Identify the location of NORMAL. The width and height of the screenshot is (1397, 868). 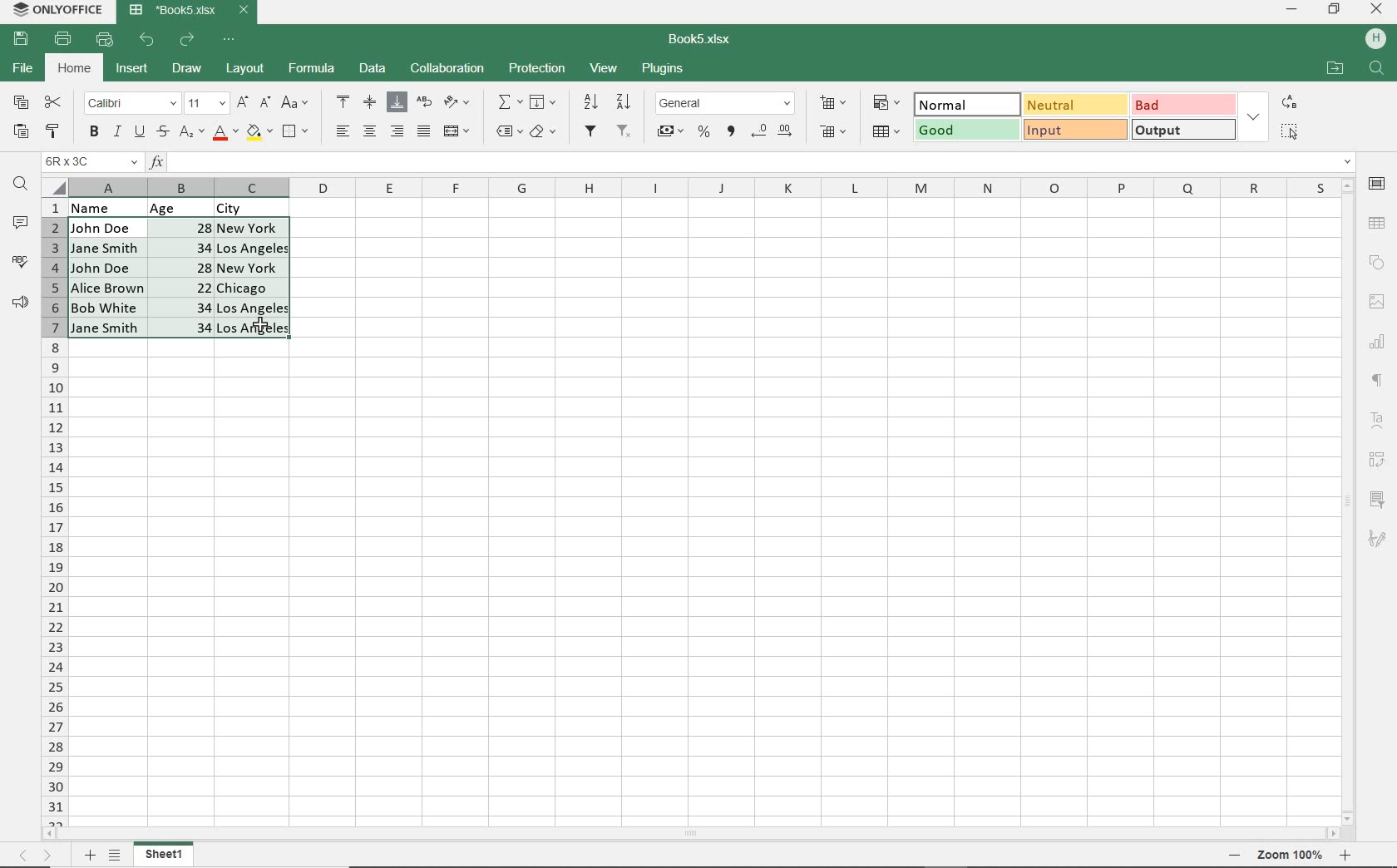
(959, 105).